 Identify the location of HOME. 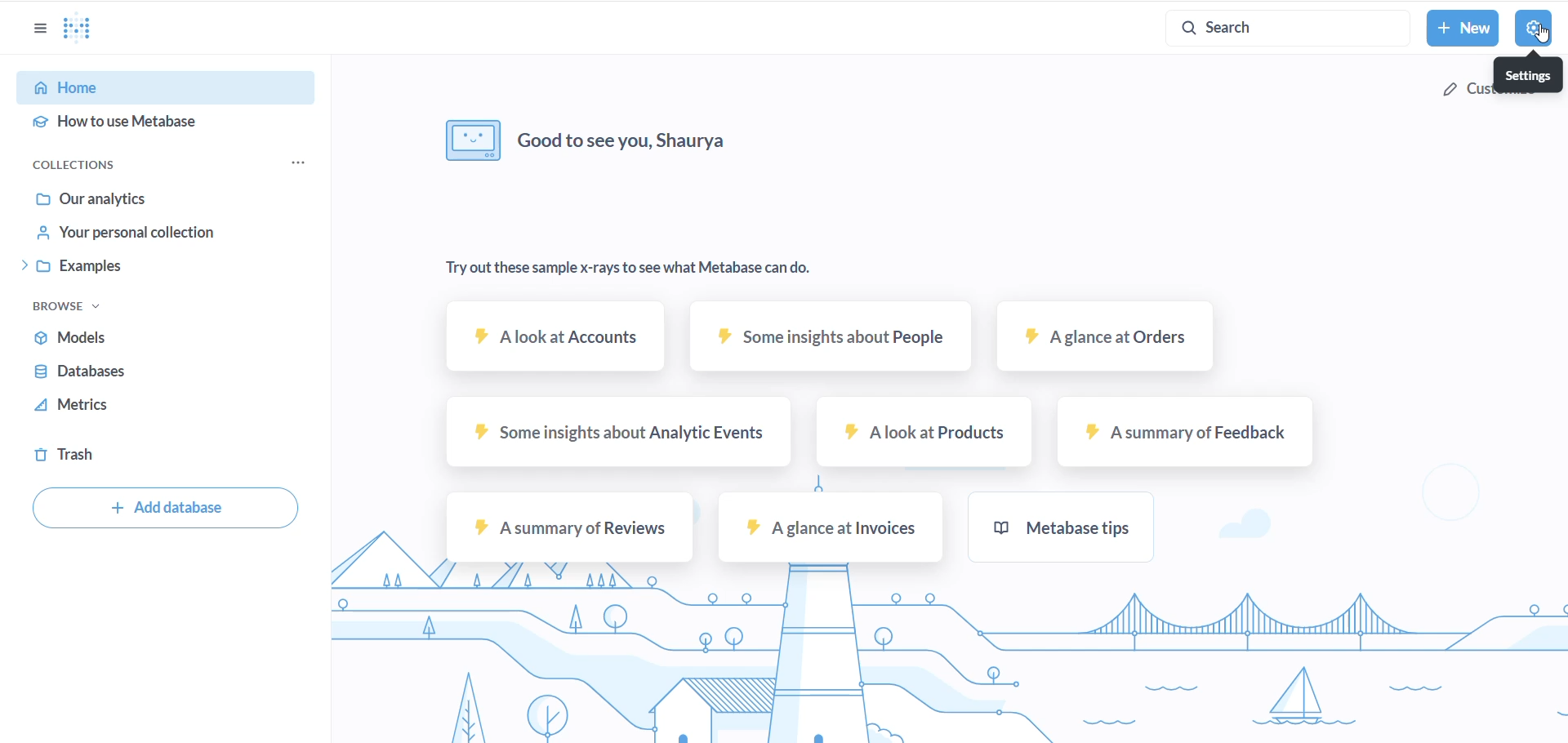
(144, 89).